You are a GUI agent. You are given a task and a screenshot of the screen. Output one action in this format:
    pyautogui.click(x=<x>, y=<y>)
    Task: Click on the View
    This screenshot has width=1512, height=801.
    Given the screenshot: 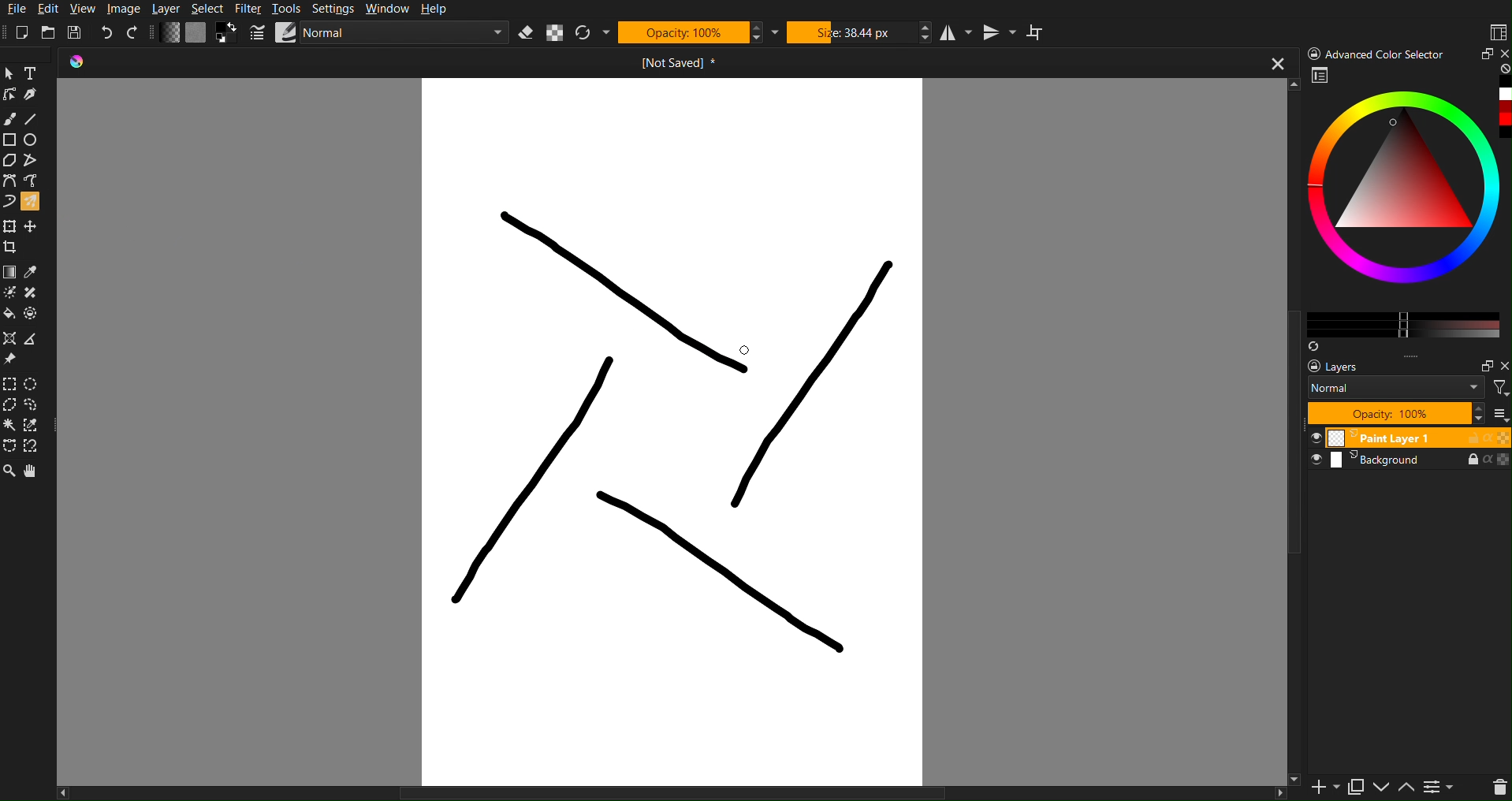 What is the action you would take?
    pyautogui.click(x=84, y=8)
    